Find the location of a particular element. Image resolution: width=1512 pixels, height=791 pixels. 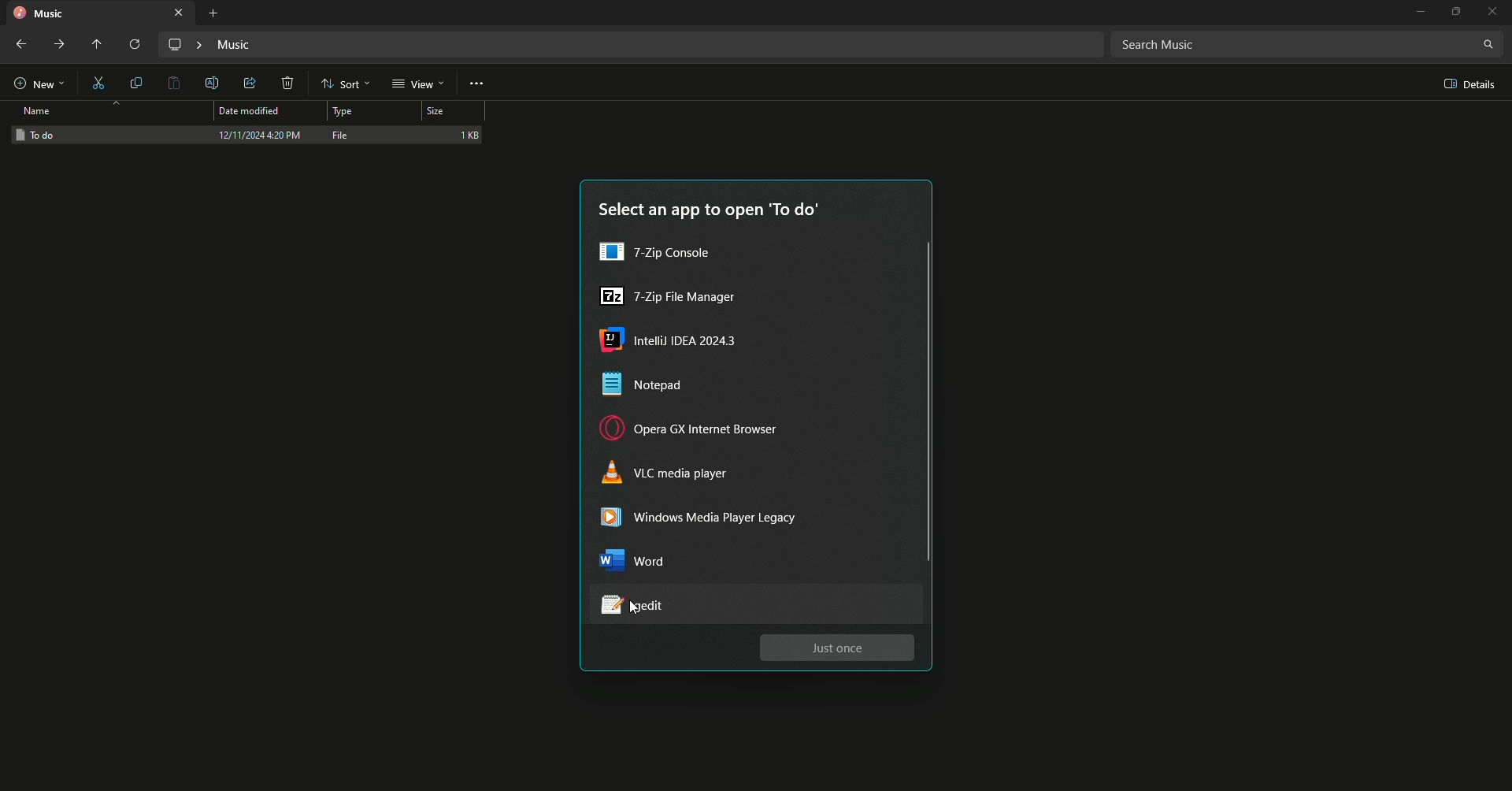

Type is located at coordinates (362, 111).